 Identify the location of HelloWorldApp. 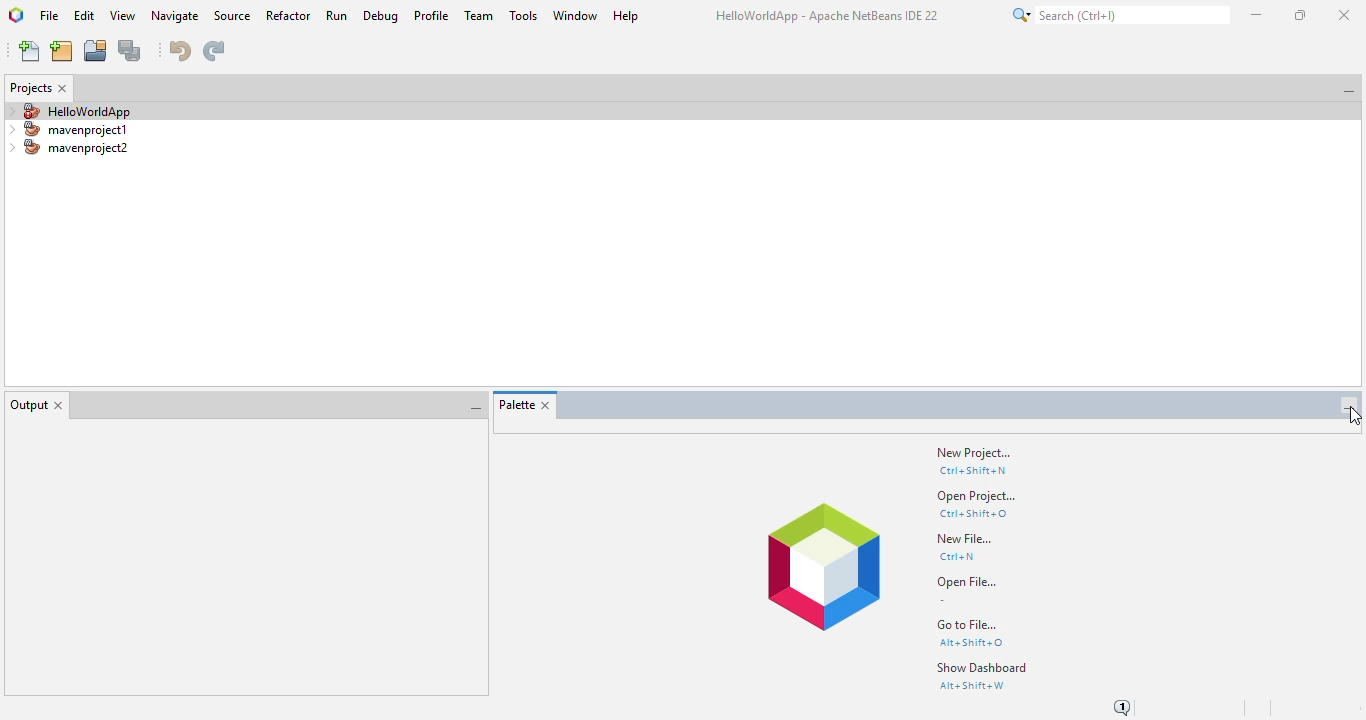
(67, 110).